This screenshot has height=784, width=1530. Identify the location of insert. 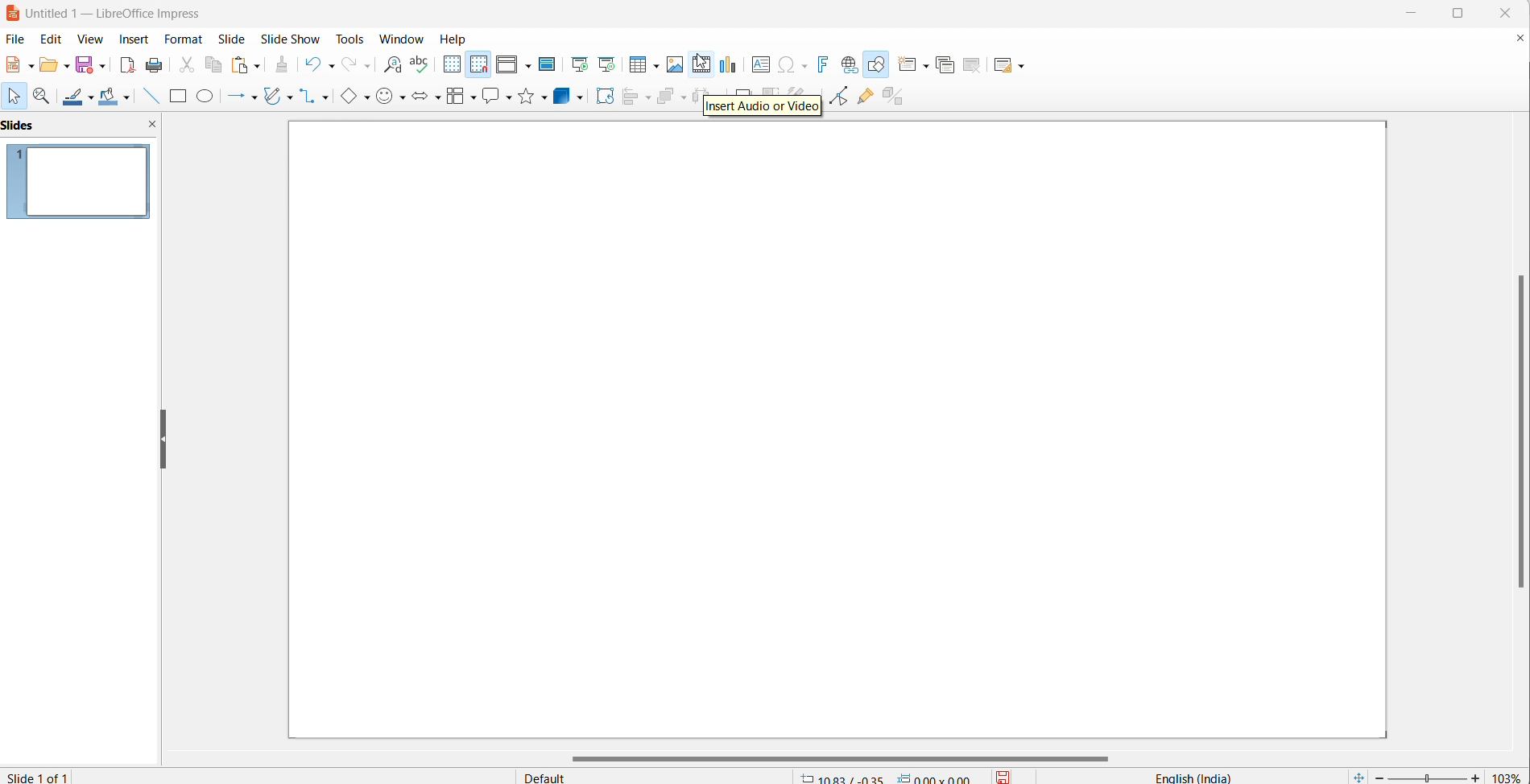
(134, 38).